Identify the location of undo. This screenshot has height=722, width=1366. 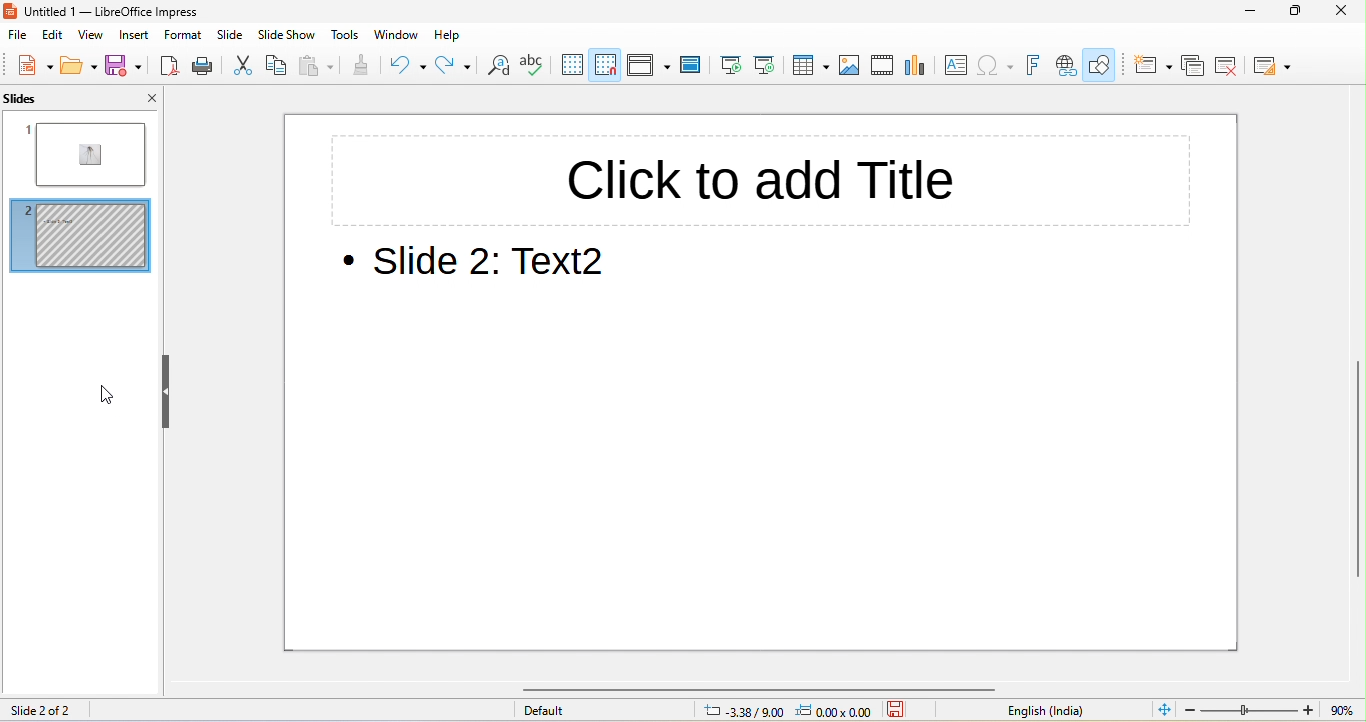
(406, 68).